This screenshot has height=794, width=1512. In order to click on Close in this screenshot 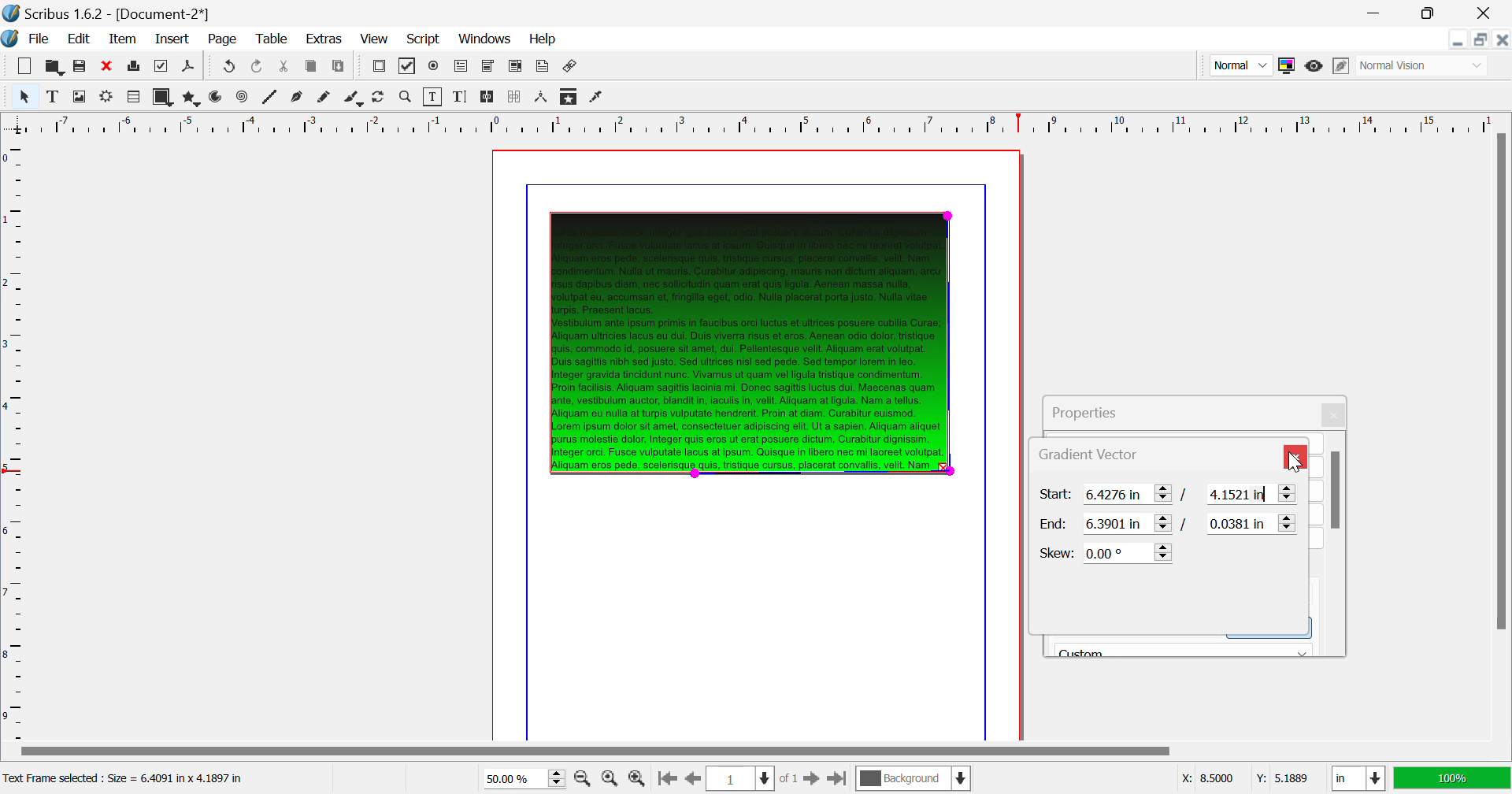, I will do `click(1503, 39)`.